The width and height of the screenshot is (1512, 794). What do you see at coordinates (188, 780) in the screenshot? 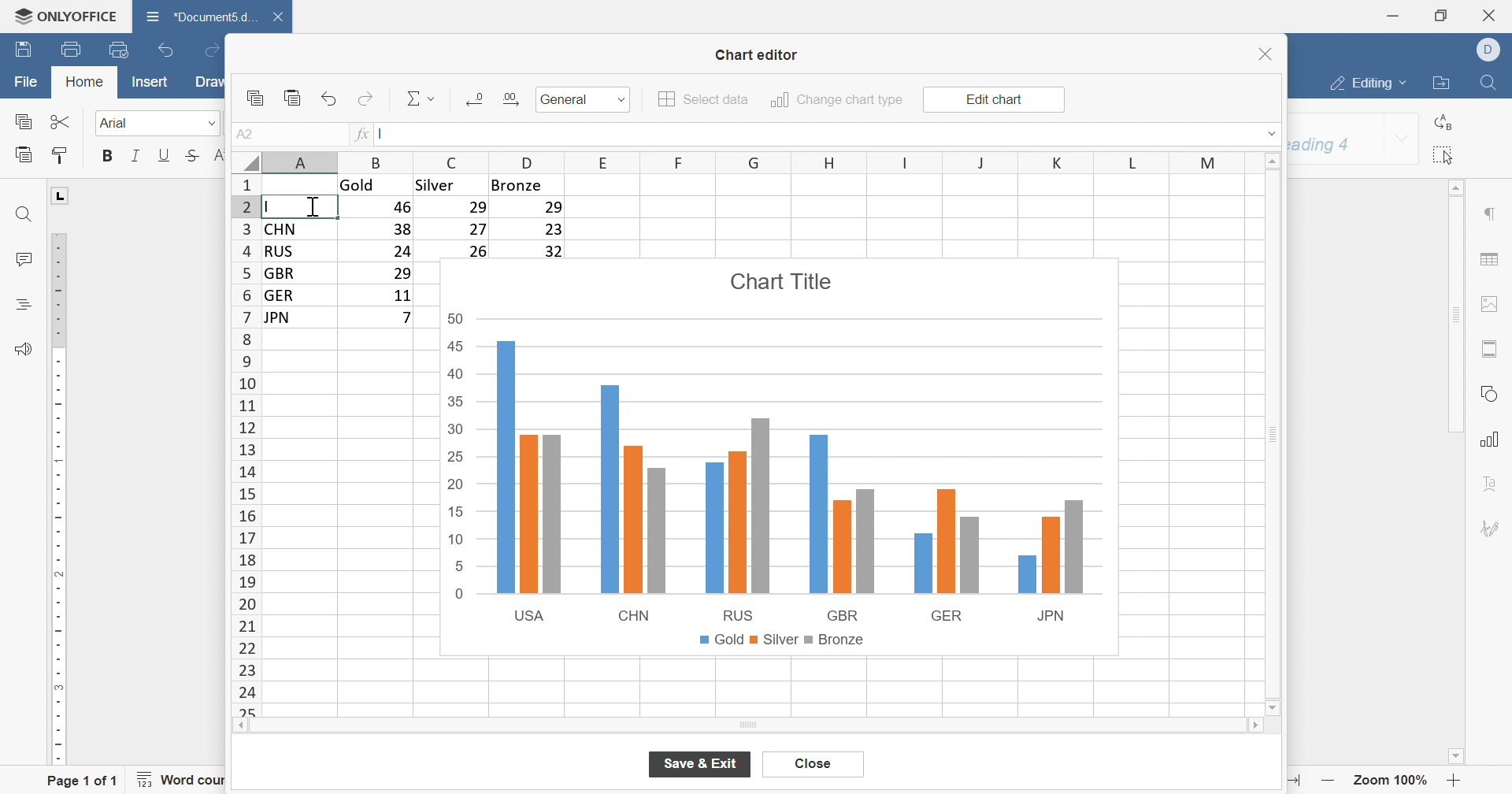
I see `word count` at bounding box center [188, 780].